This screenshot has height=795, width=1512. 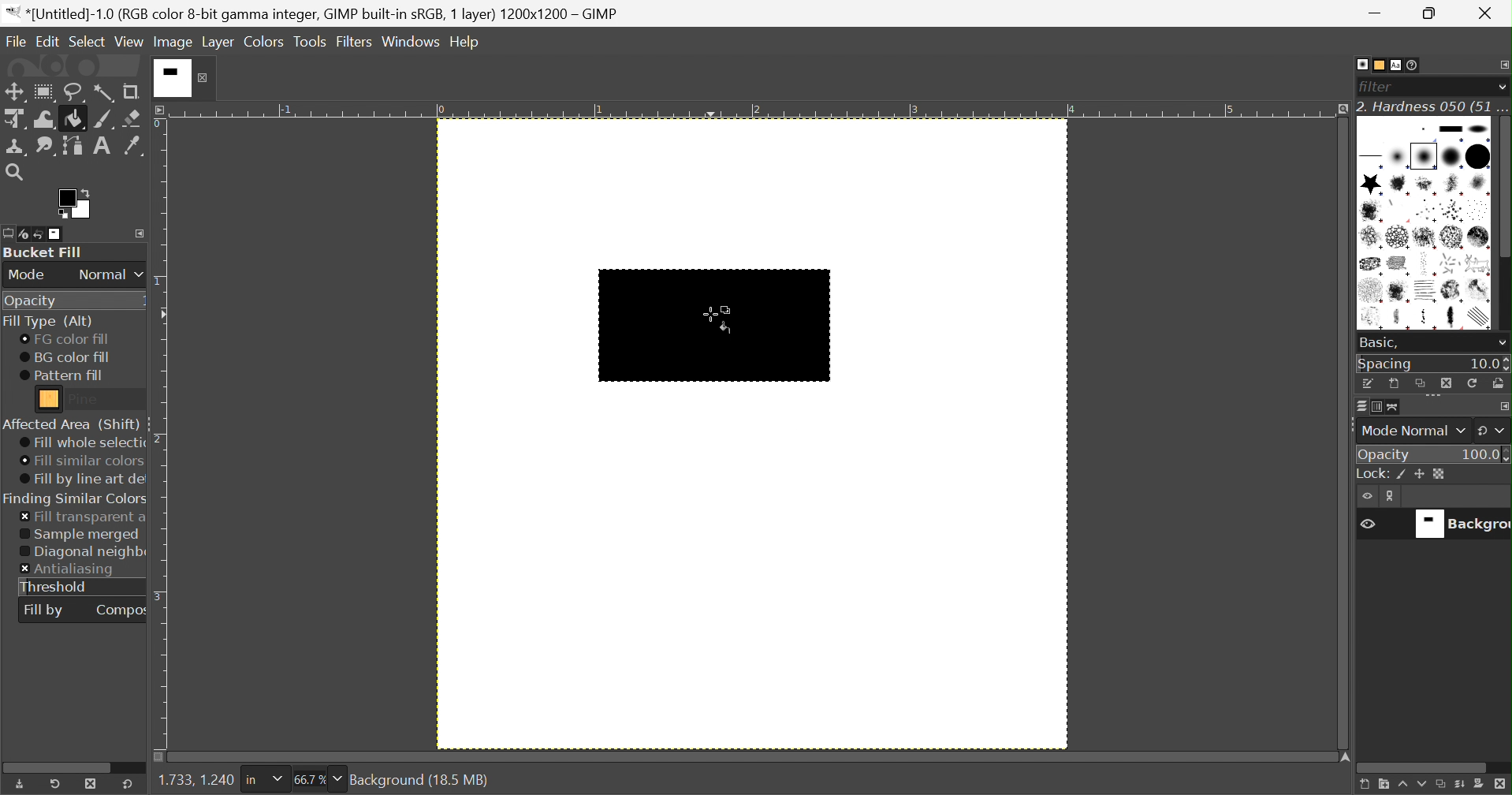 I want to click on Delete this brush, so click(x=1446, y=383).